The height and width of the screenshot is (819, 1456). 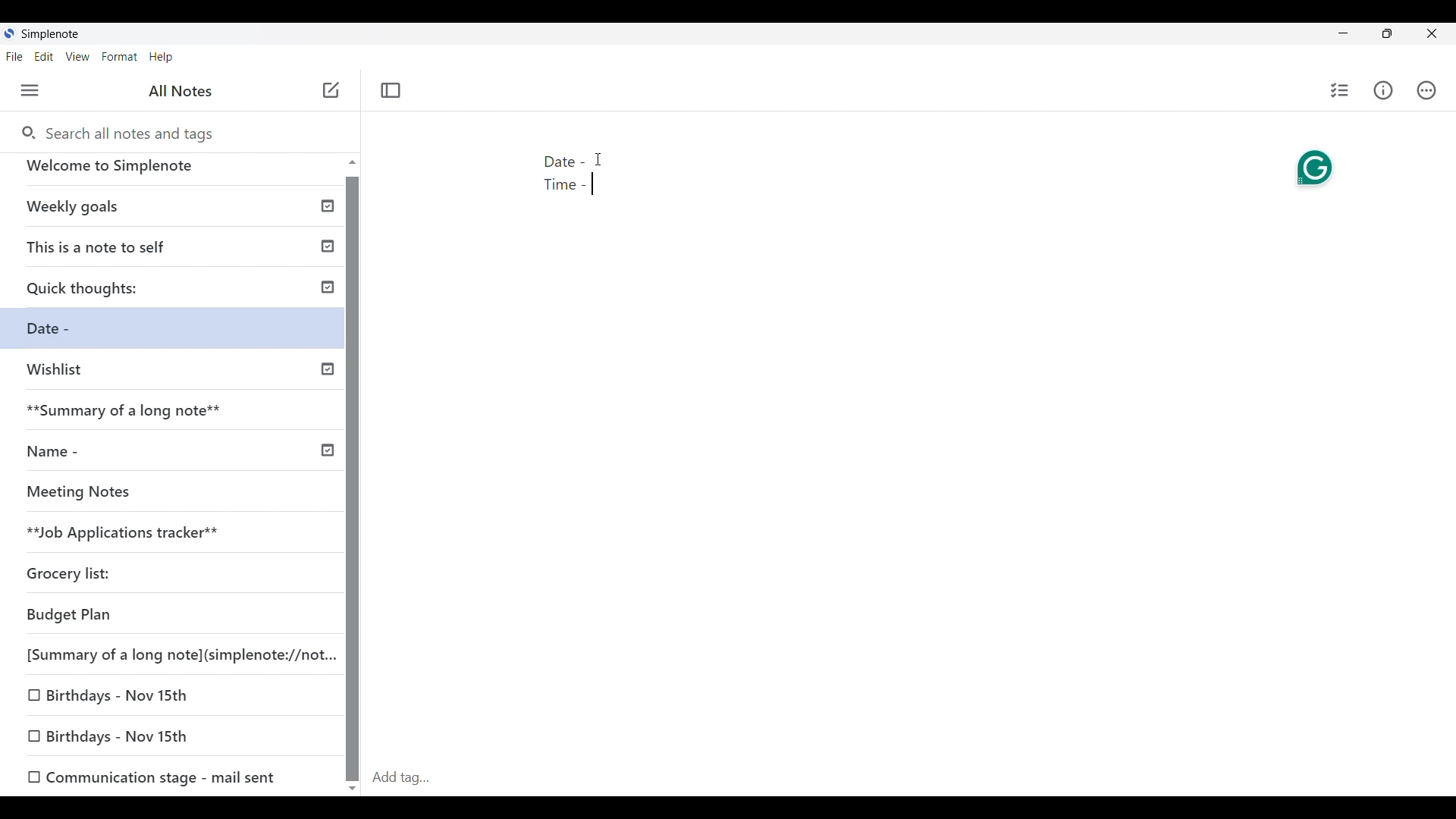 I want to click on Quick slide to top, so click(x=353, y=162).